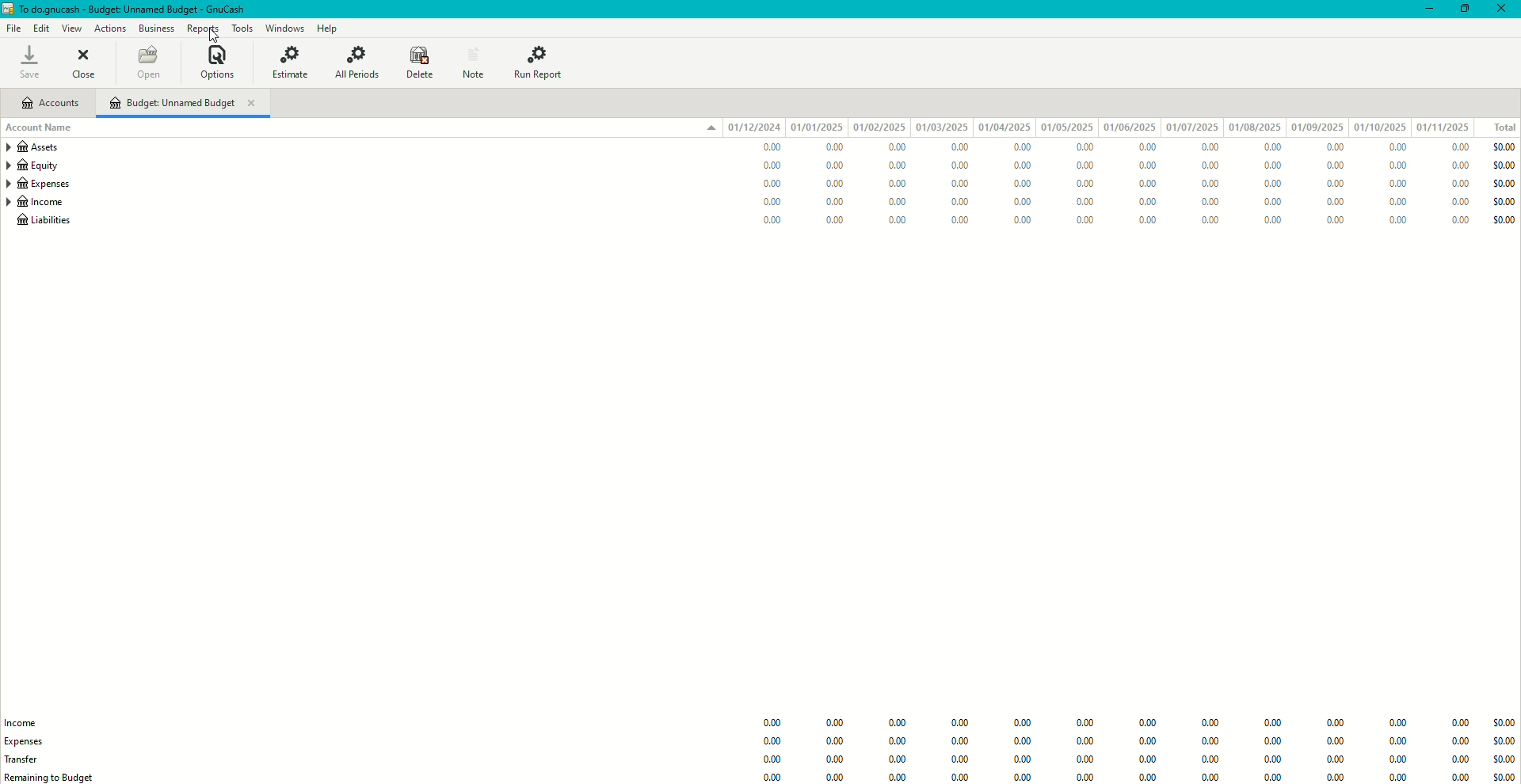  What do you see at coordinates (1458, 183) in the screenshot?
I see `0.00` at bounding box center [1458, 183].